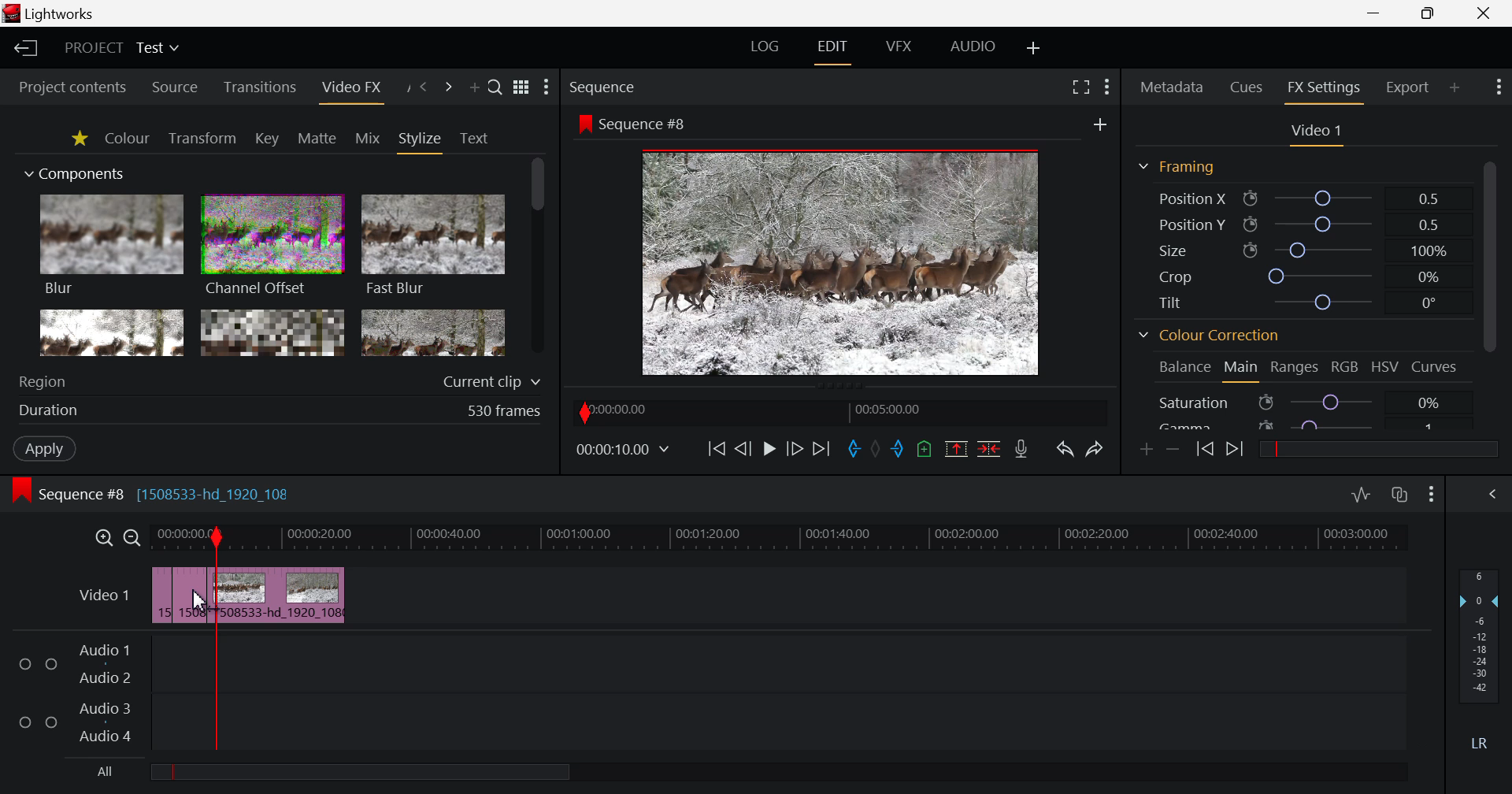 This screenshot has width=1512, height=794. Describe the element at coordinates (1487, 13) in the screenshot. I see `Close` at that location.